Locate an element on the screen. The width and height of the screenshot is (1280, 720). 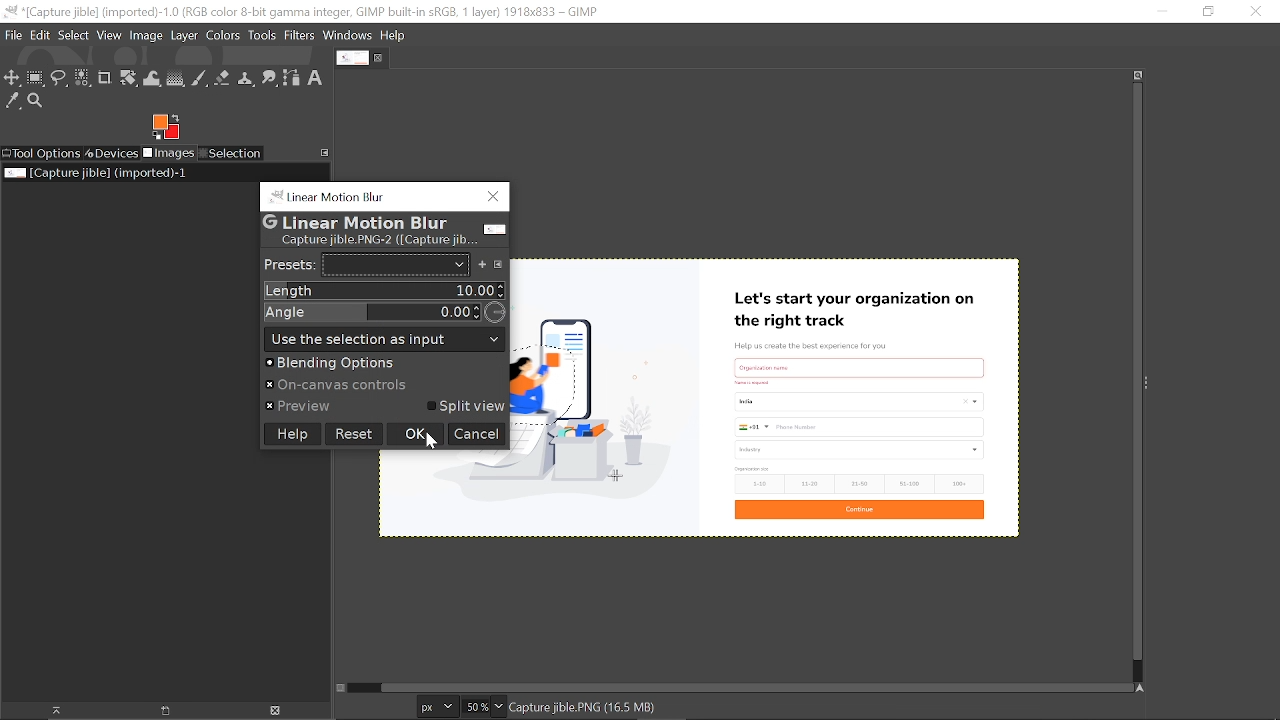
Toggle quick mask on/off is located at coordinates (339, 688).